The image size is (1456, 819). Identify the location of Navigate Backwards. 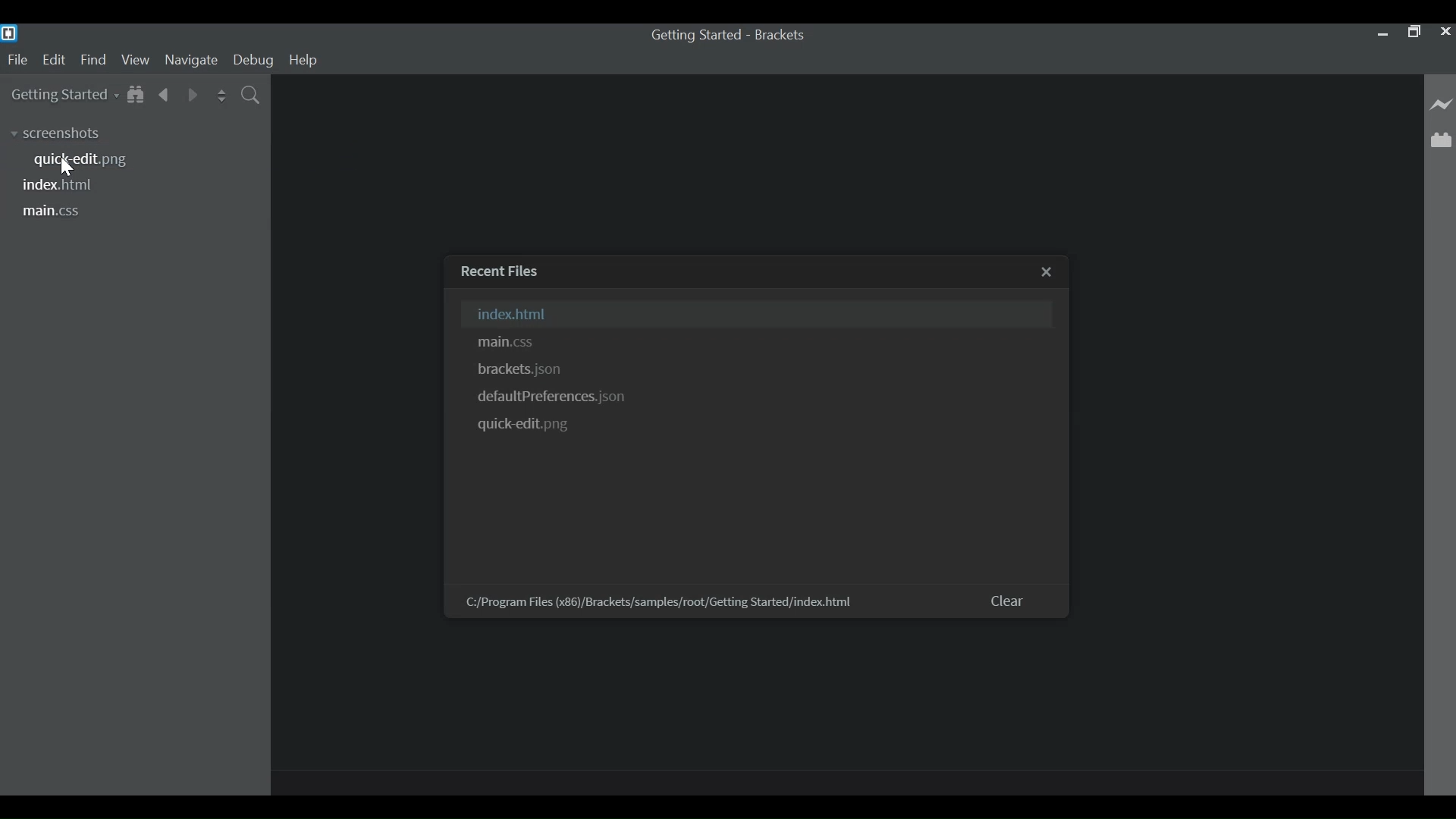
(167, 94).